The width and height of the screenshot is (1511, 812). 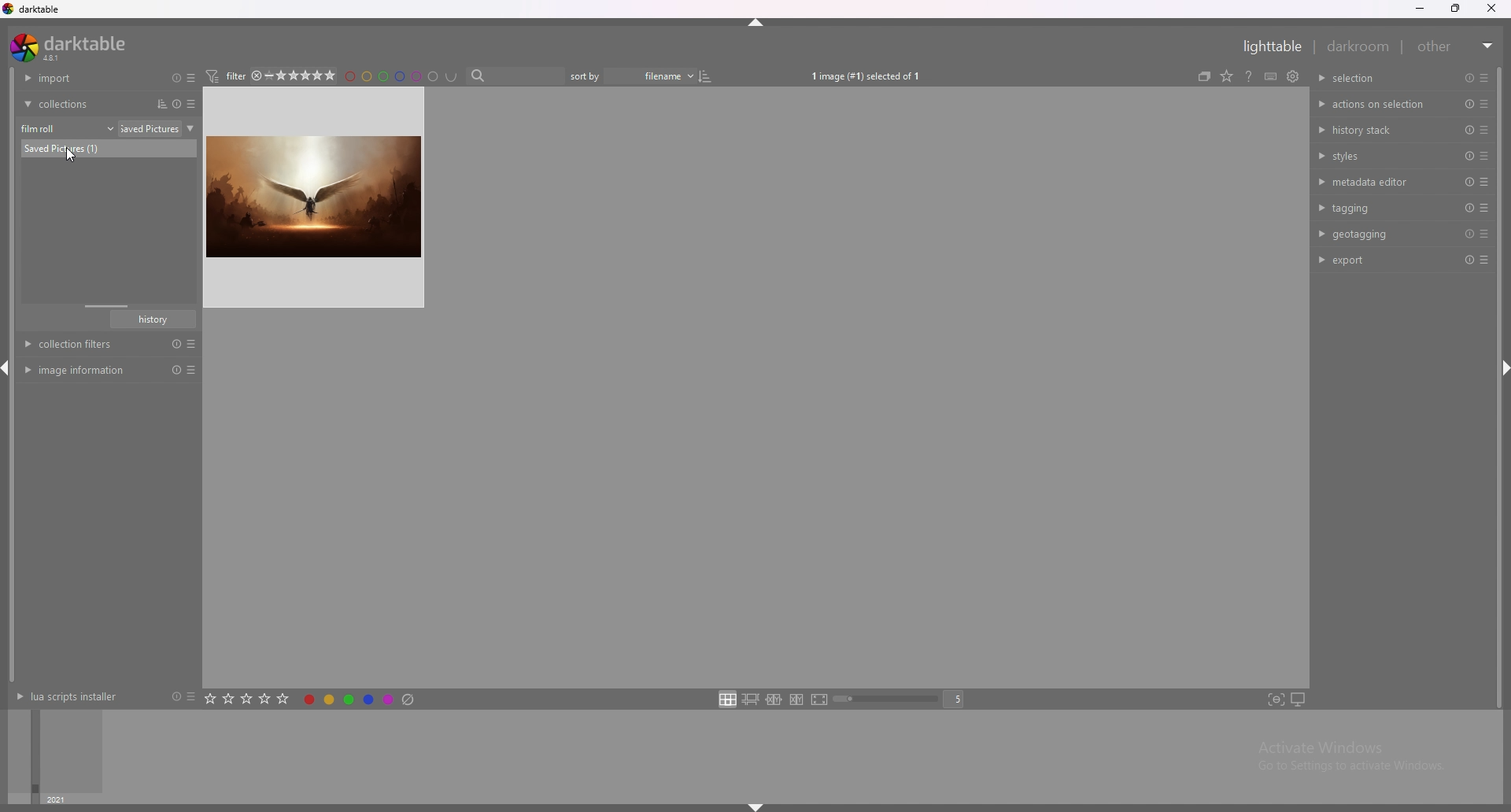 What do you see at coordinates (109, 149) in the screenshot?
I see `photo name` at bounding box center [109, 149].